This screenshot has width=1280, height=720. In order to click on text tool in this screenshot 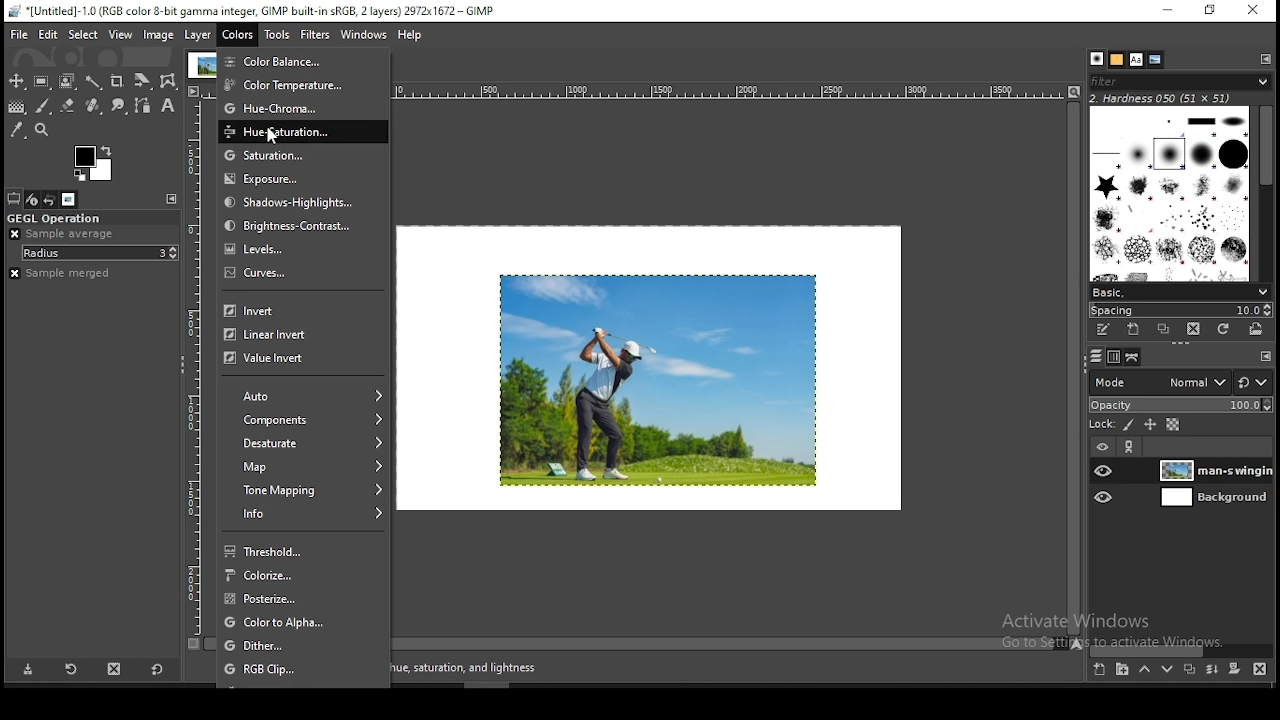, I will do `click(167, 108)`.